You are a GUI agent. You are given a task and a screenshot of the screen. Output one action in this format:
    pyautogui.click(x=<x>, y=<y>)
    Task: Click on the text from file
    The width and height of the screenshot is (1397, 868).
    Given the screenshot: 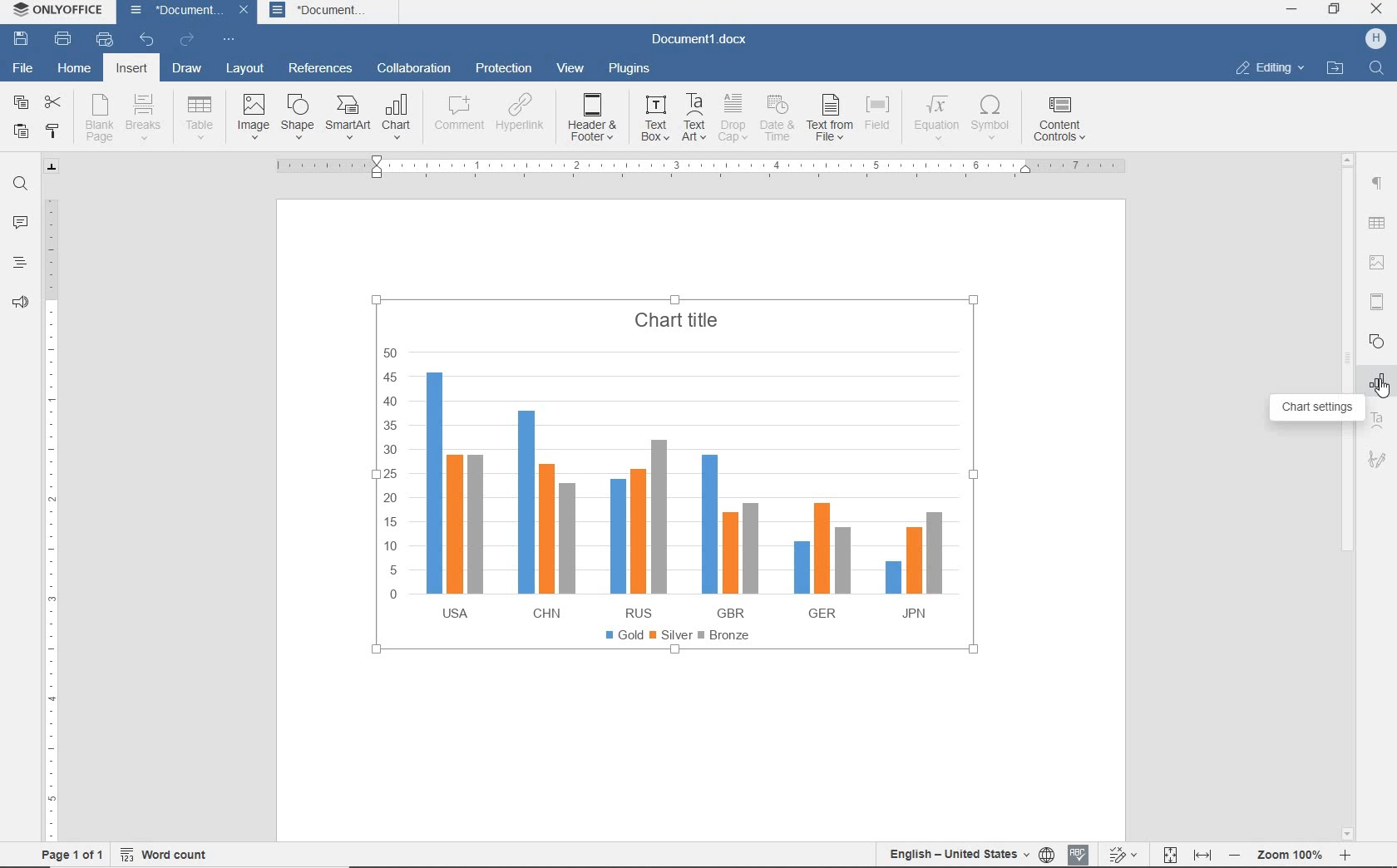 What is the action you would take?
    pyautogui.click(x=831, y=119)
    